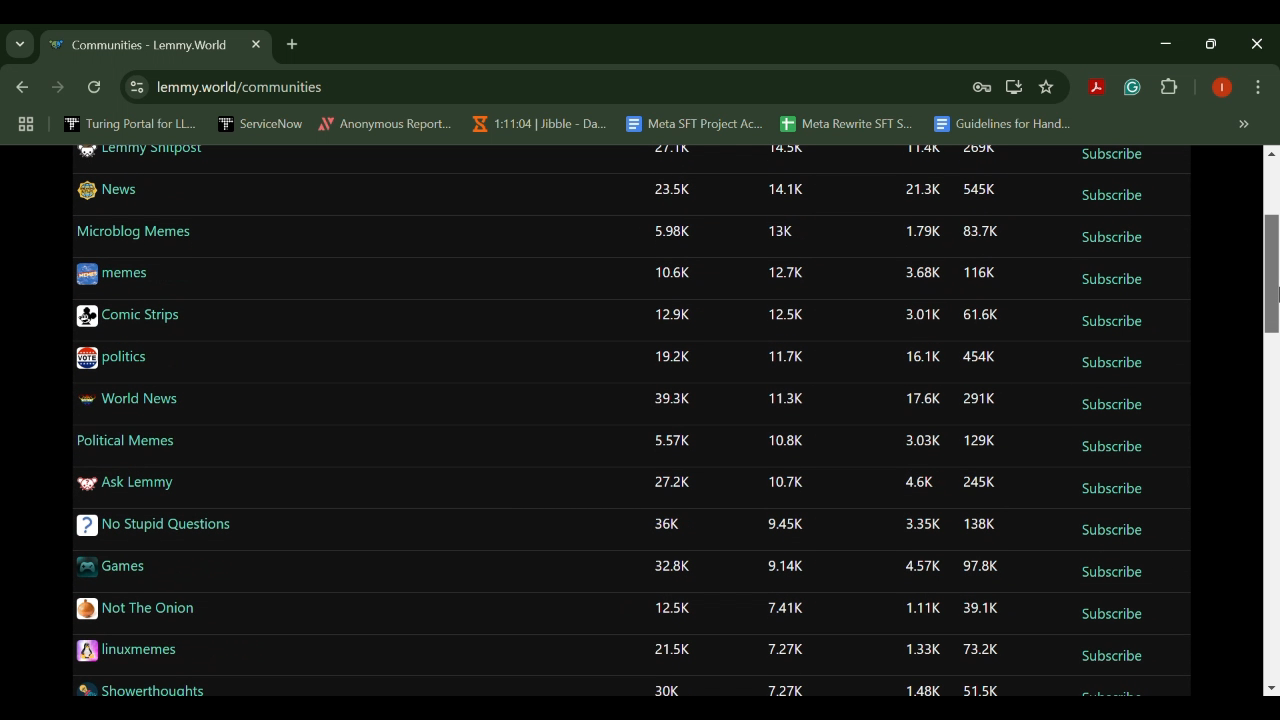  Describe the element at coordinates (135, 232) in the screenshot. I see `Microblog Memes` at that location.